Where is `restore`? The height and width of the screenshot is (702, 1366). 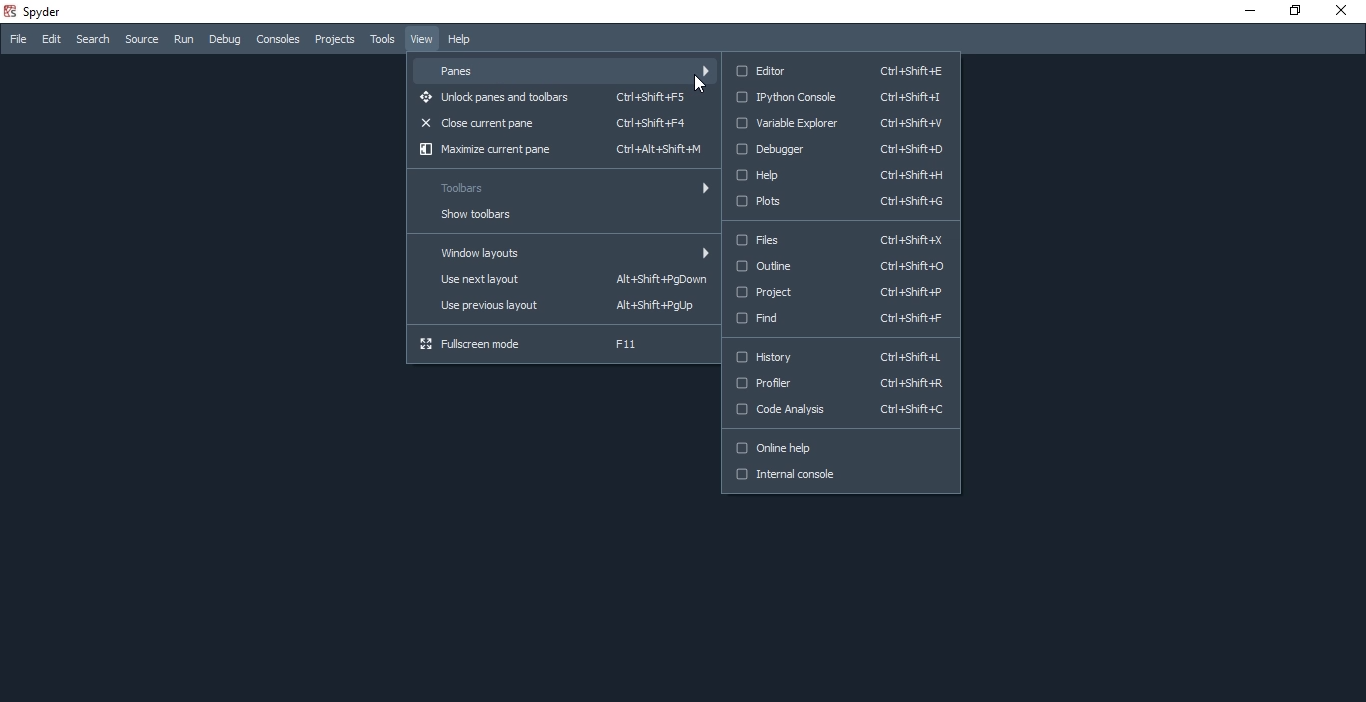
restore is located at coordinates (1298, 12).